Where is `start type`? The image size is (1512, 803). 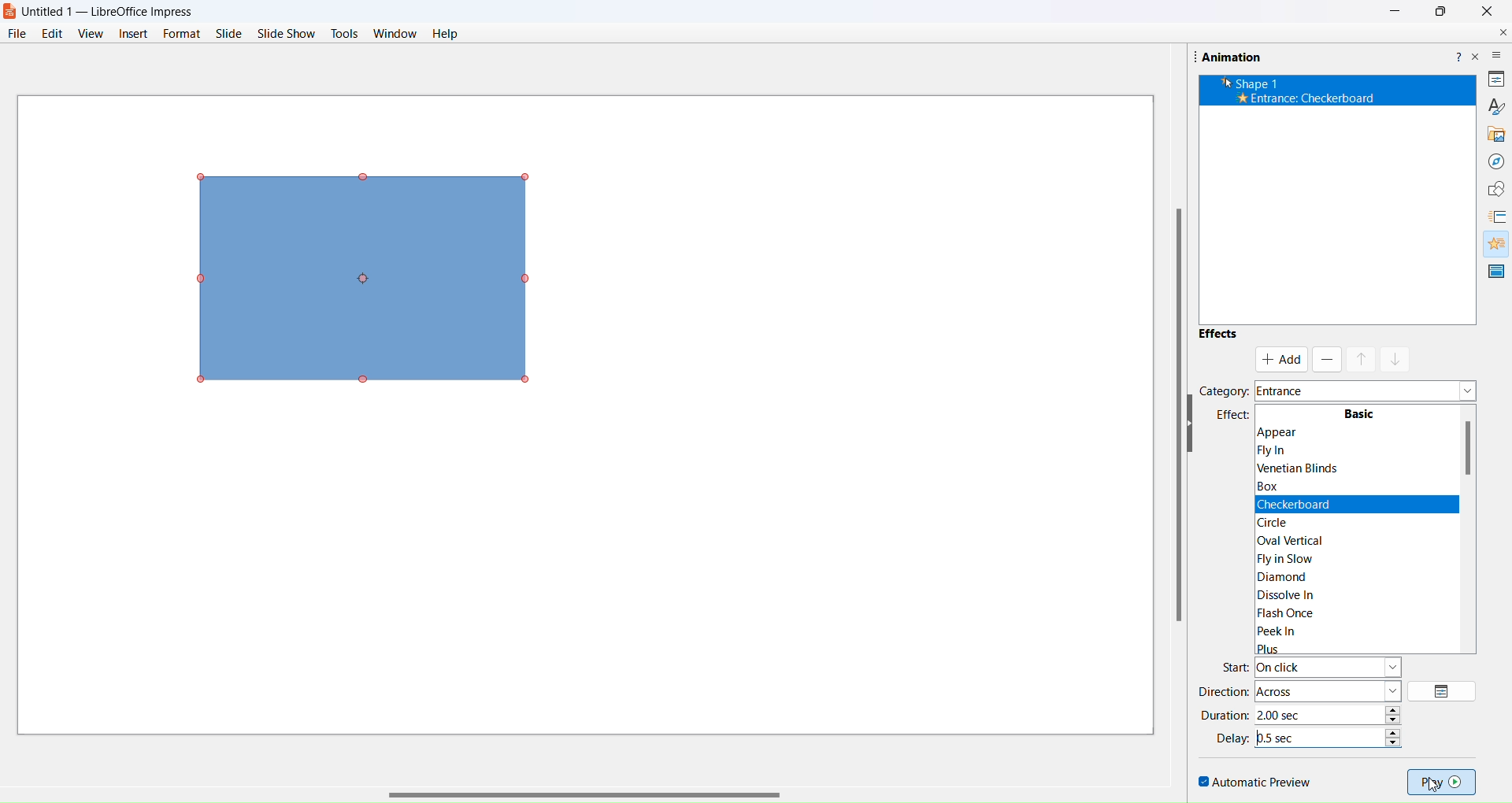
start type is located at coordinates (1332, 667).